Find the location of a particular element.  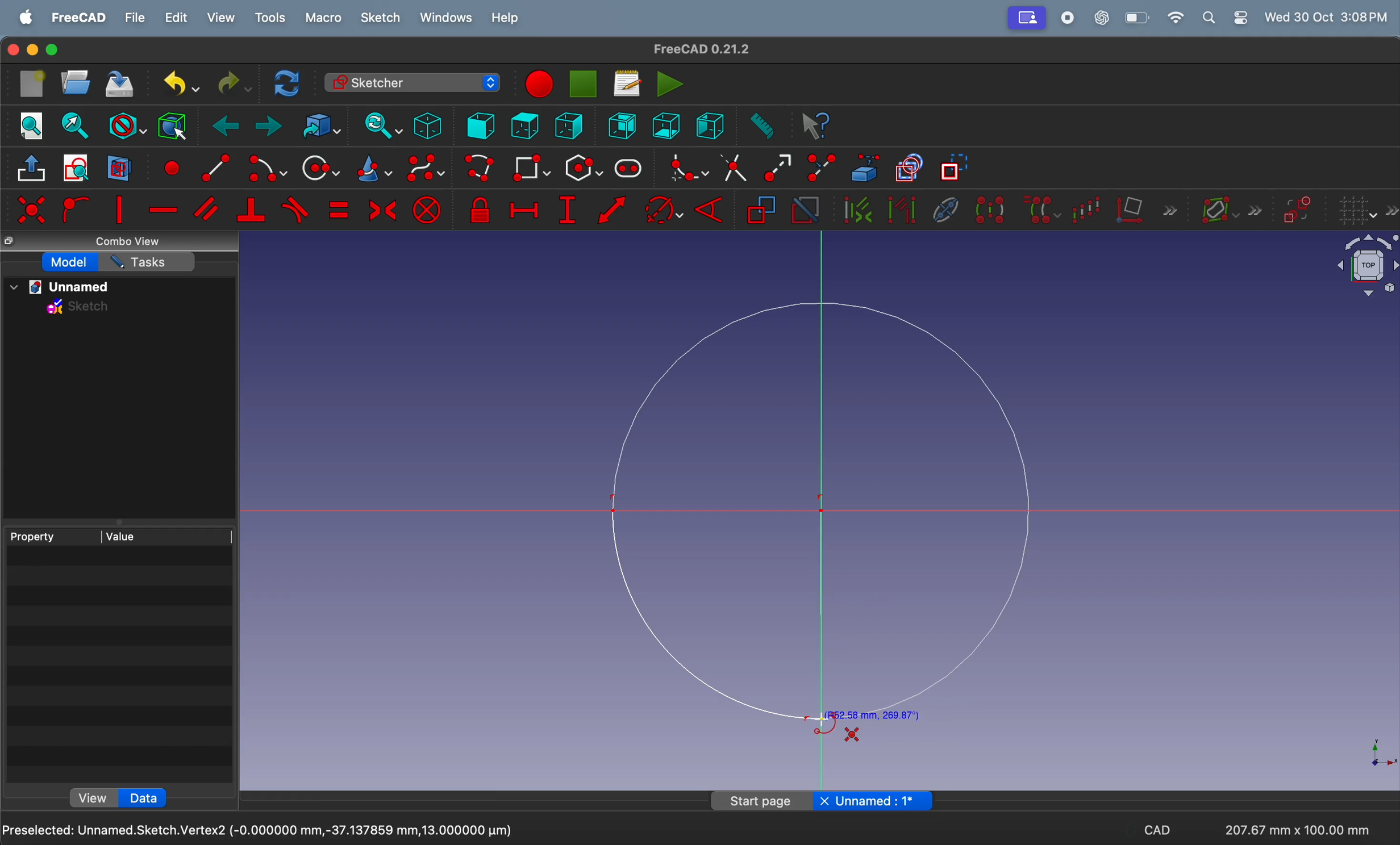

top view is located at coordinates (524, 125).